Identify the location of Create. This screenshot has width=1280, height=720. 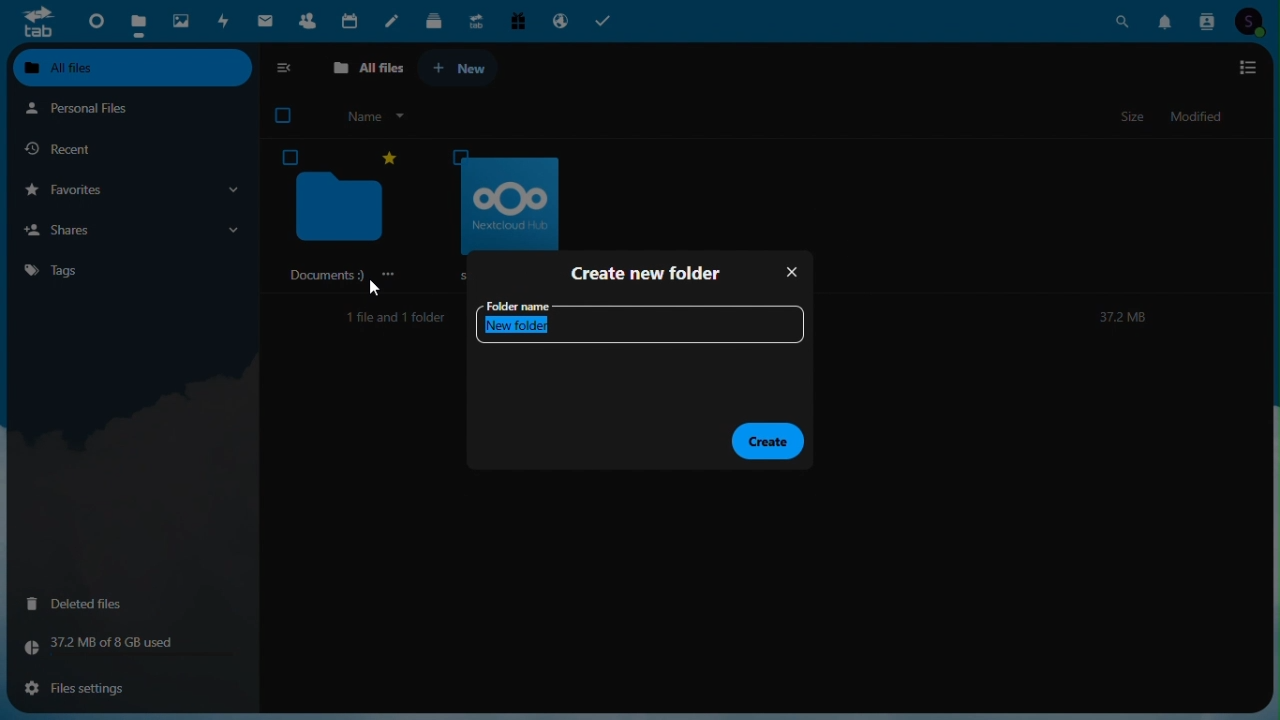
(768, 441).